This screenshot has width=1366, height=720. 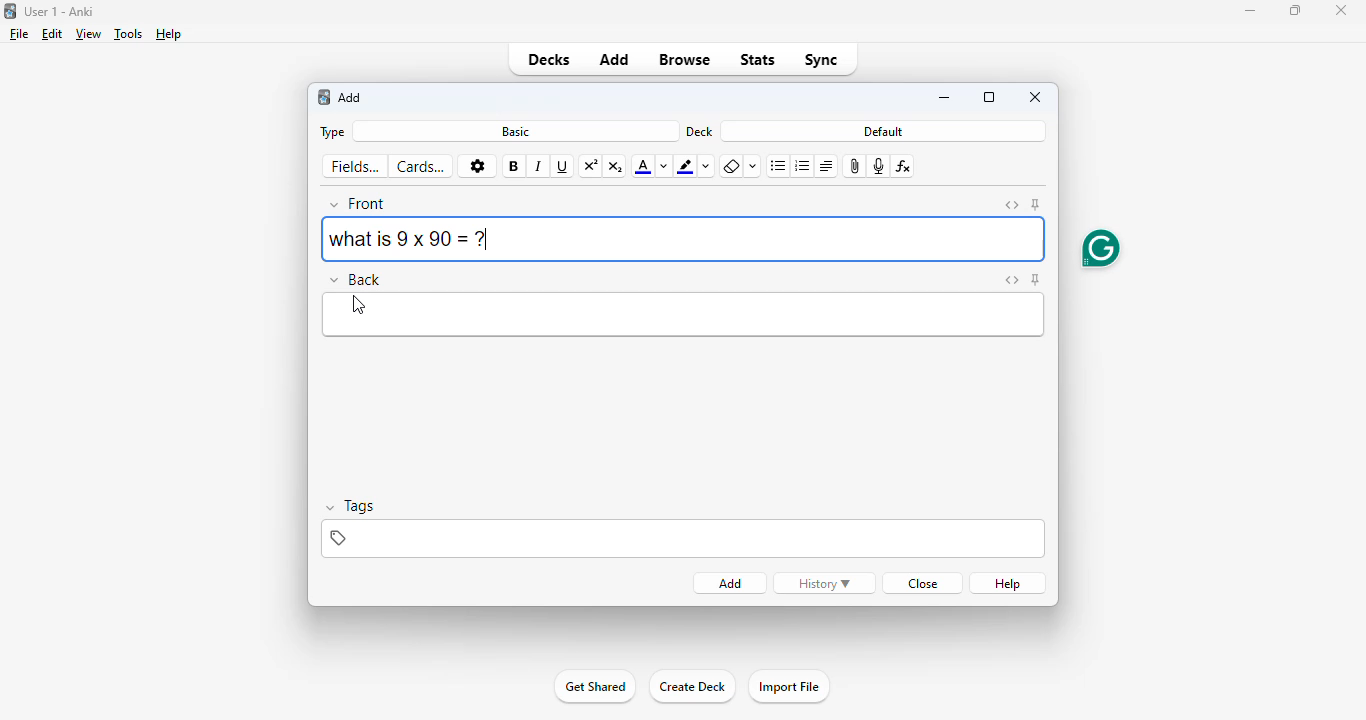 I want to click on ordered list, so click(x=803, y=166).